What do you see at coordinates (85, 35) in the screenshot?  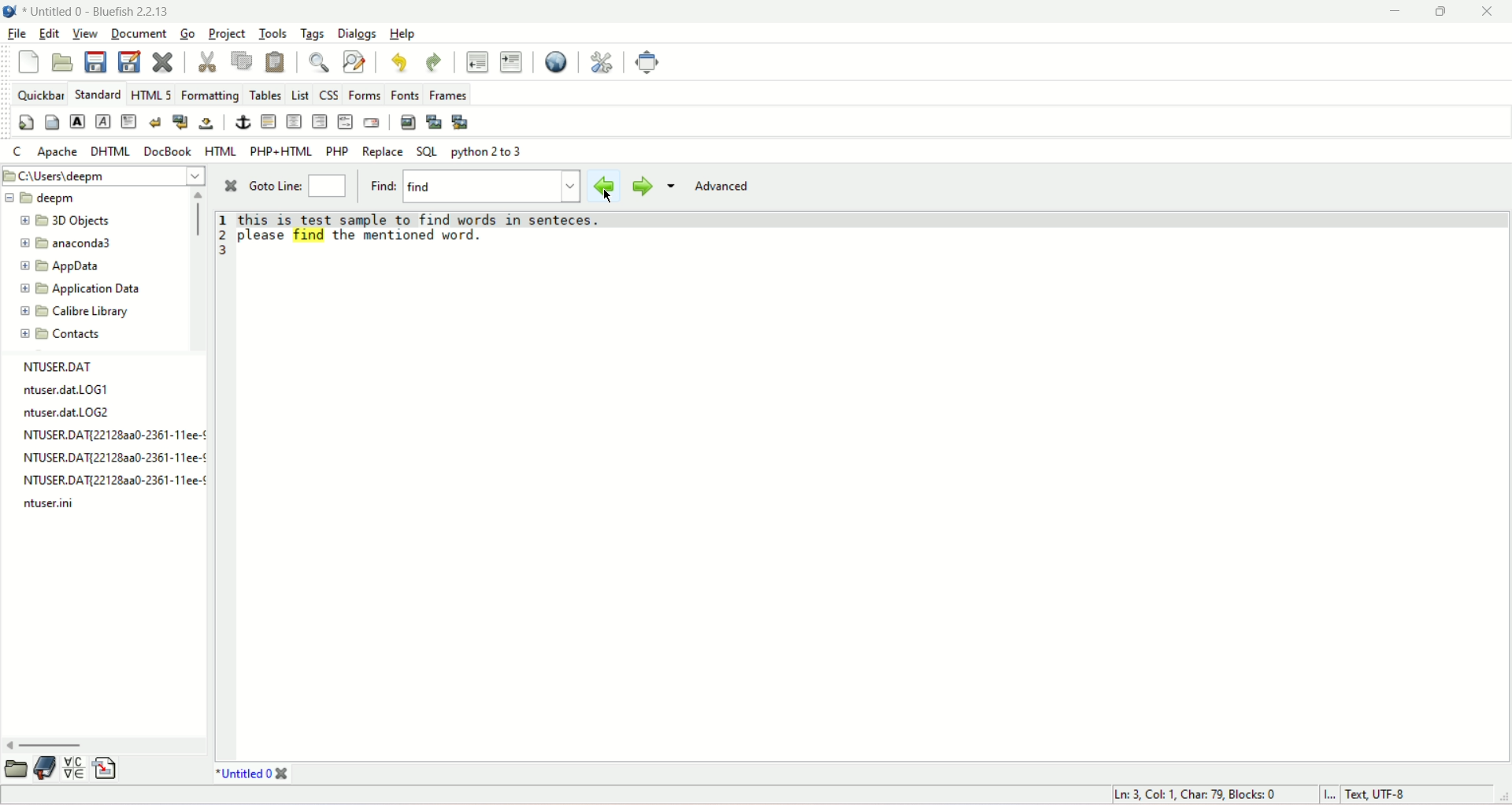 I see `view` at bounding box center [85, 35].